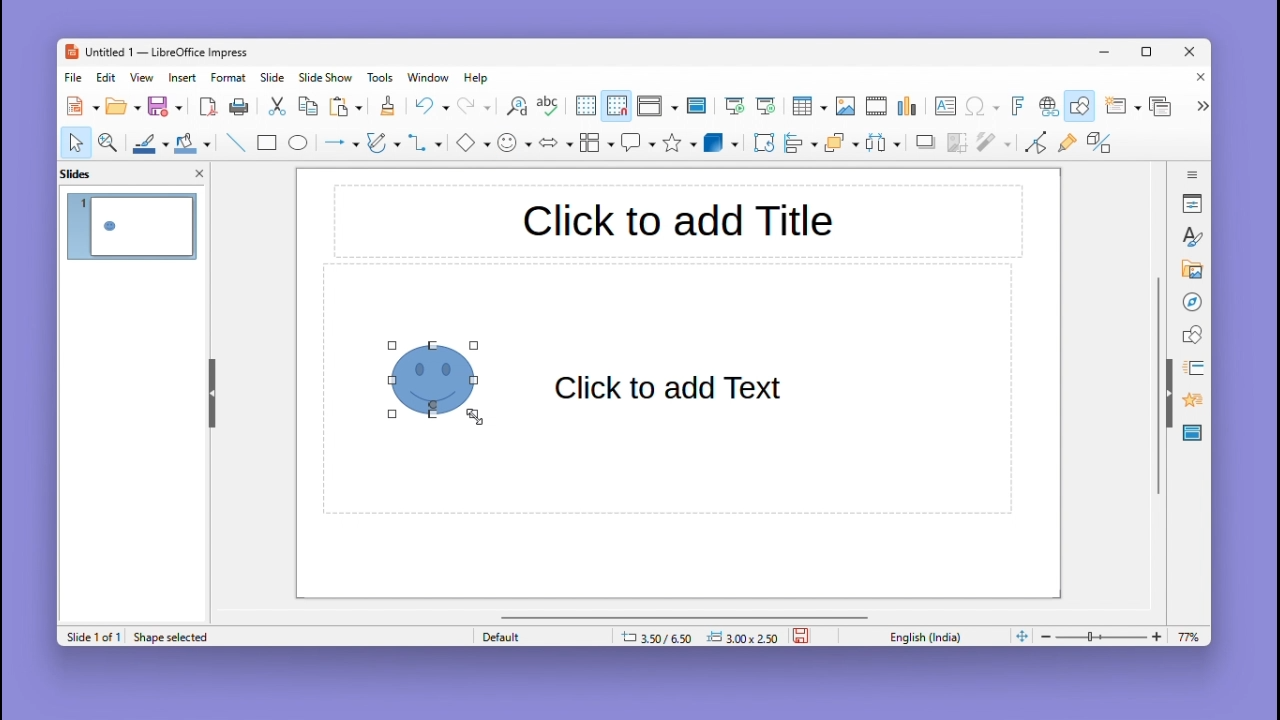  I want to click on Minimise, so click(1107, 51).